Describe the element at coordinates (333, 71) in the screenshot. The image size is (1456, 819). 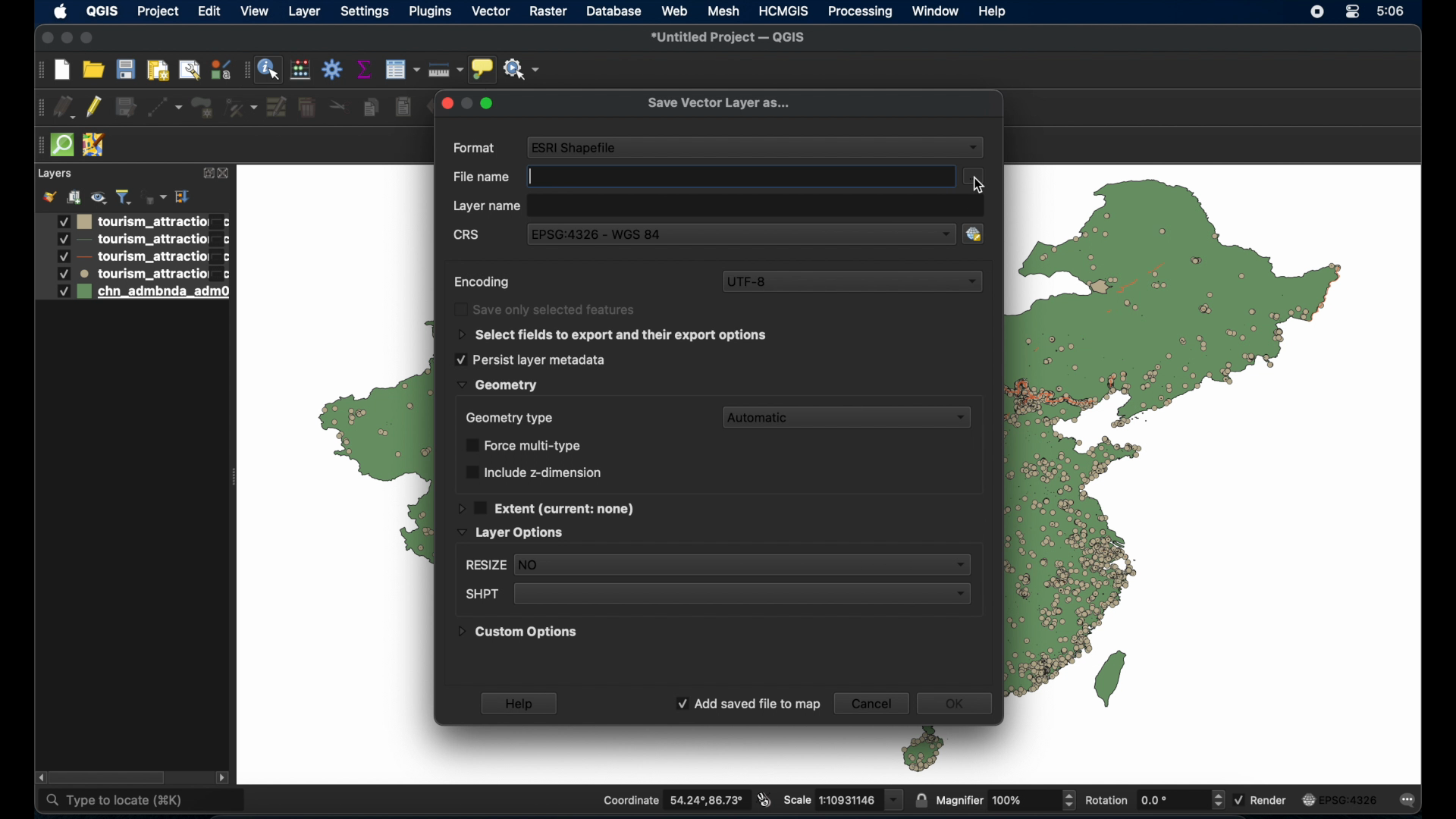
I see `toolbox` at that location.